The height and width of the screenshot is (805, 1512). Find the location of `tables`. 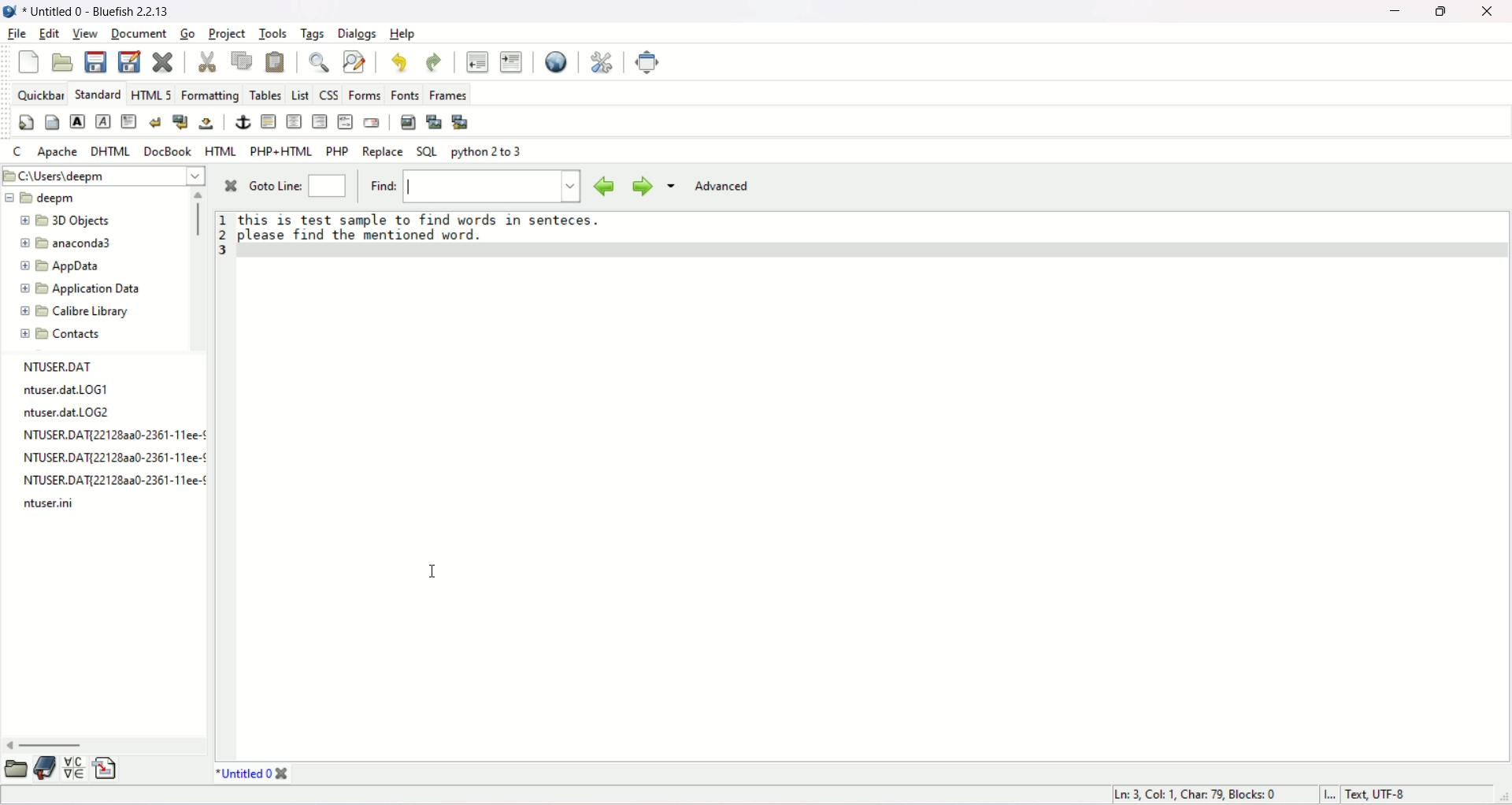

tables is located at coordinates (265, 94).